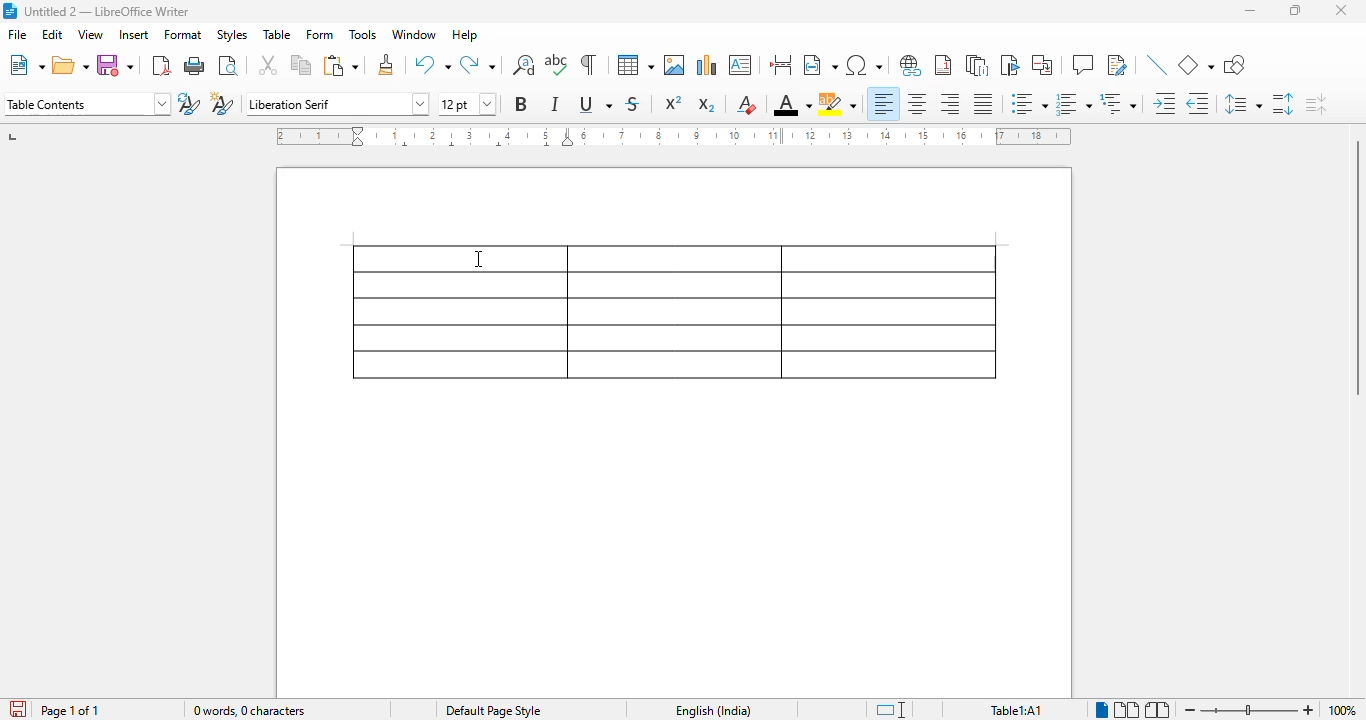 The width and height of the screenshot is (1366, 720). Describe the element at coordinates (635, 65) in the screenshot. I see `table` at that location.